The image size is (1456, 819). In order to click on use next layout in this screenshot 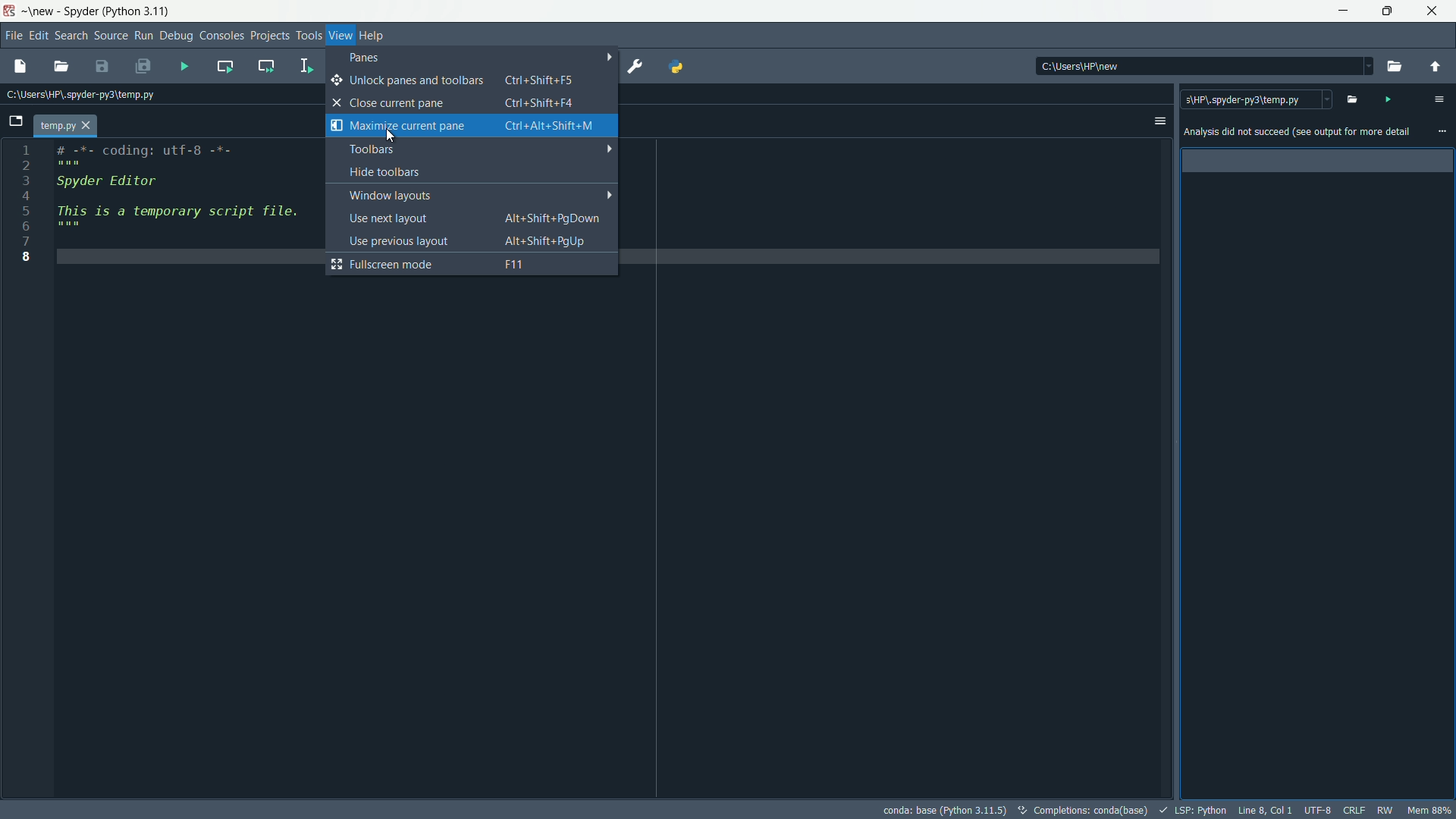, I will do `click(471, 219)`.